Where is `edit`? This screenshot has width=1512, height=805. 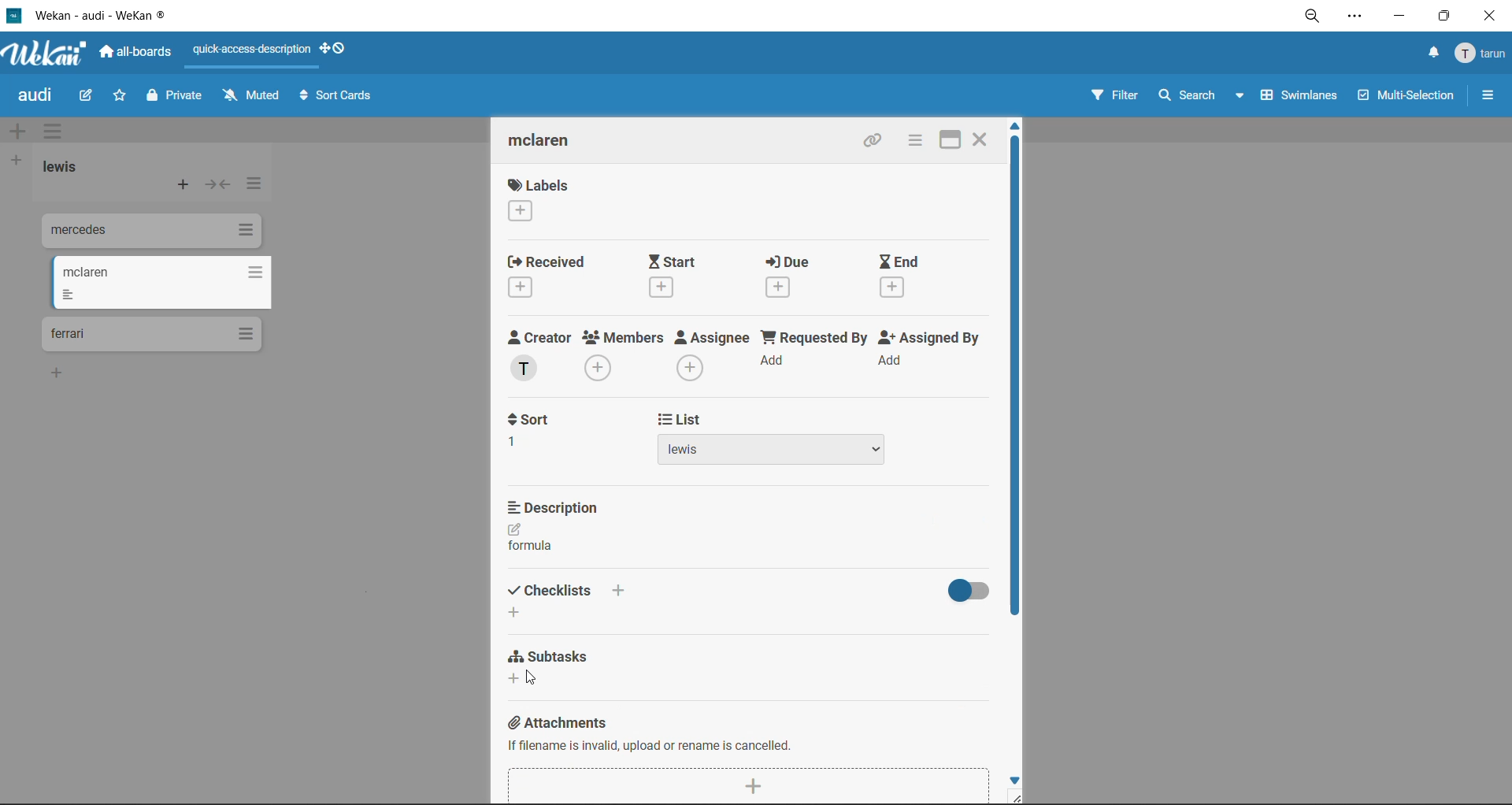
edit is located at coordinates (86, 97).